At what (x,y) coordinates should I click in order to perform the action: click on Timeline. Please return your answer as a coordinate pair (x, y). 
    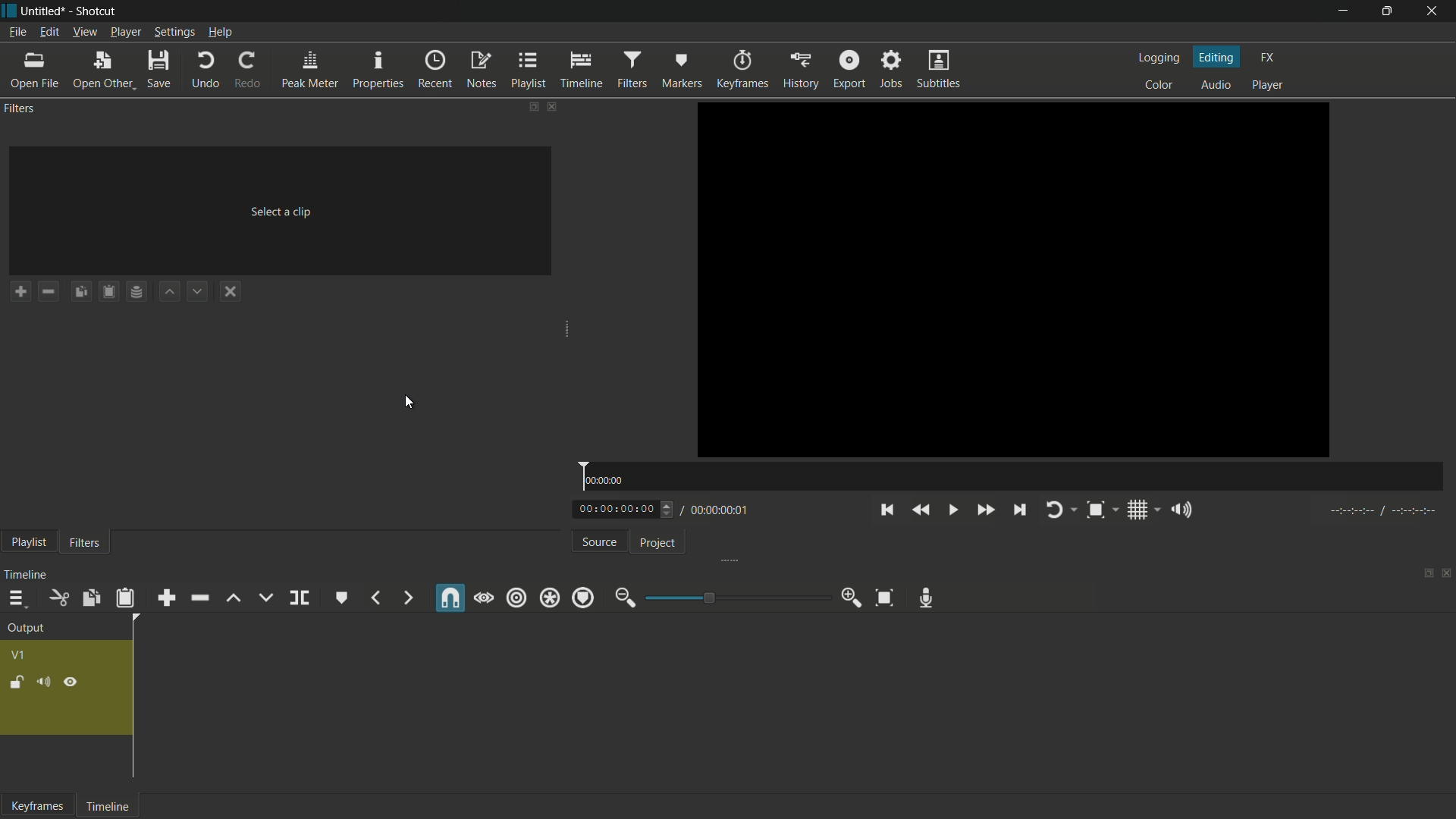
    Looking at the image, I should click on (114, 806).